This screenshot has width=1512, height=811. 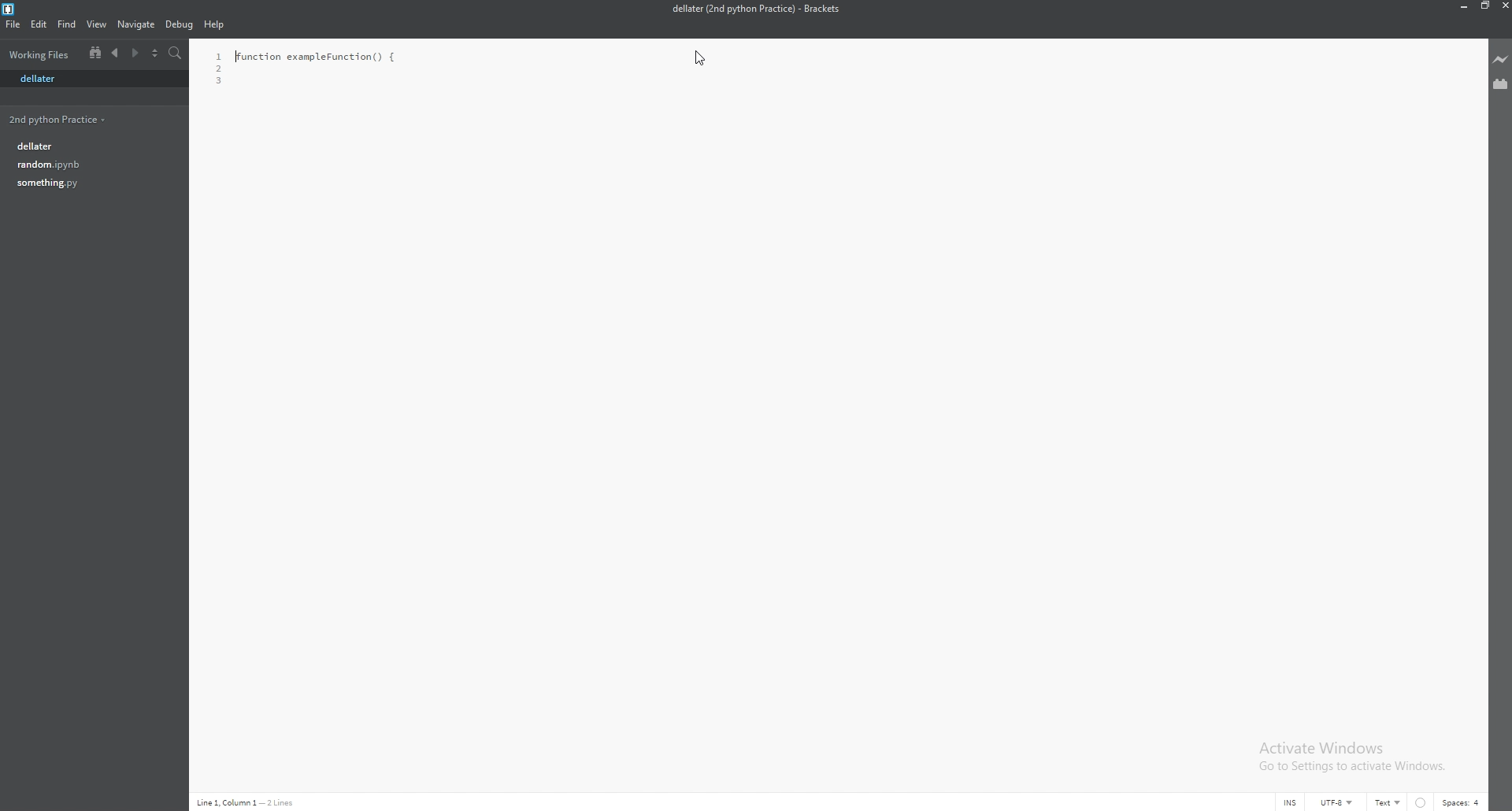 What do you see at coordinates (67, 25) in the screenshot?
I see `find` at bounding box center [67, 25].